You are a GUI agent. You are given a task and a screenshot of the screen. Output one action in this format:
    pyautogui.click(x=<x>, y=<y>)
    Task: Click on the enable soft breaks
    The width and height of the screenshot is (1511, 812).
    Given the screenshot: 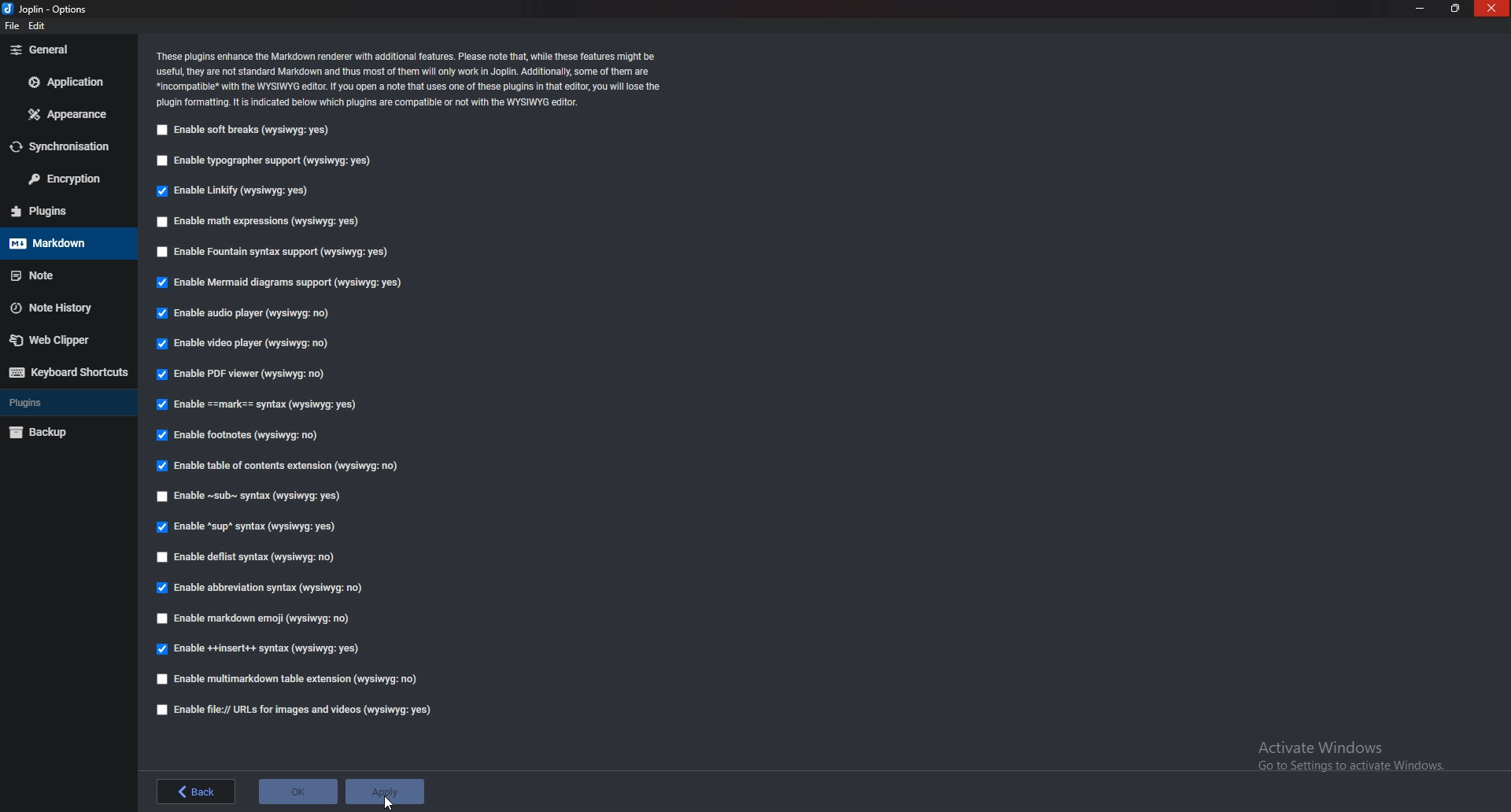 What is the action you would take?
    pyautogui.click(x=249, y=130)
    